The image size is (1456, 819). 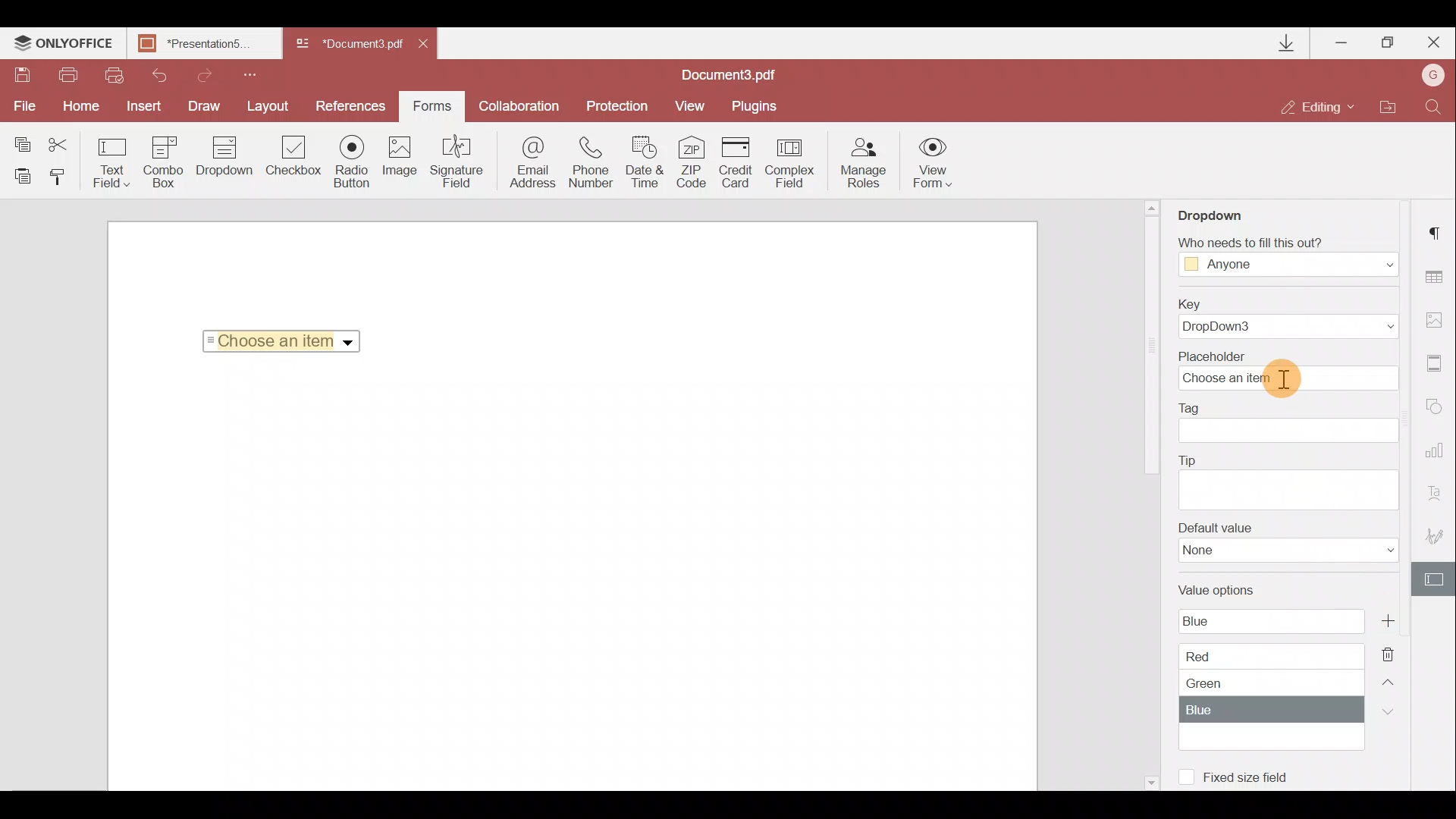 I want to click on Home, so click(x=85, y=107).